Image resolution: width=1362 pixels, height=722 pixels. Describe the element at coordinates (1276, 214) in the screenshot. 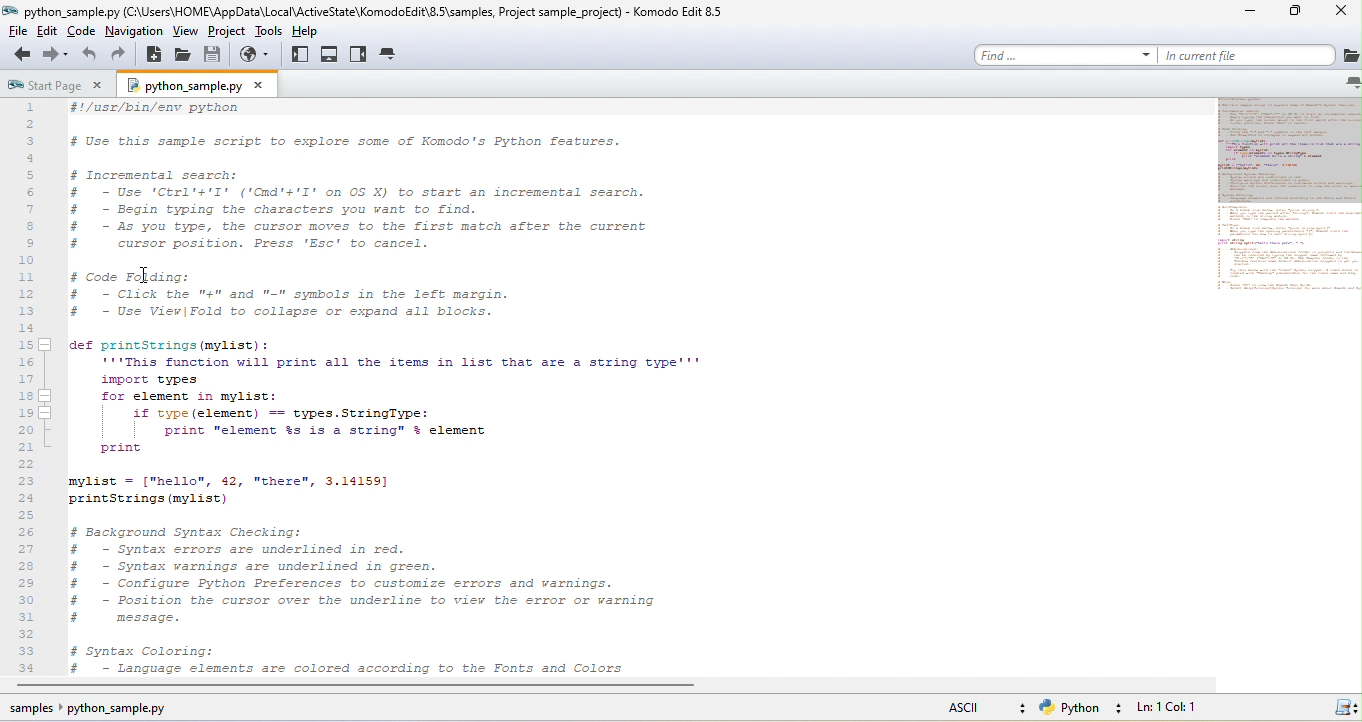

I see `Minimap panel appeared` at that location.